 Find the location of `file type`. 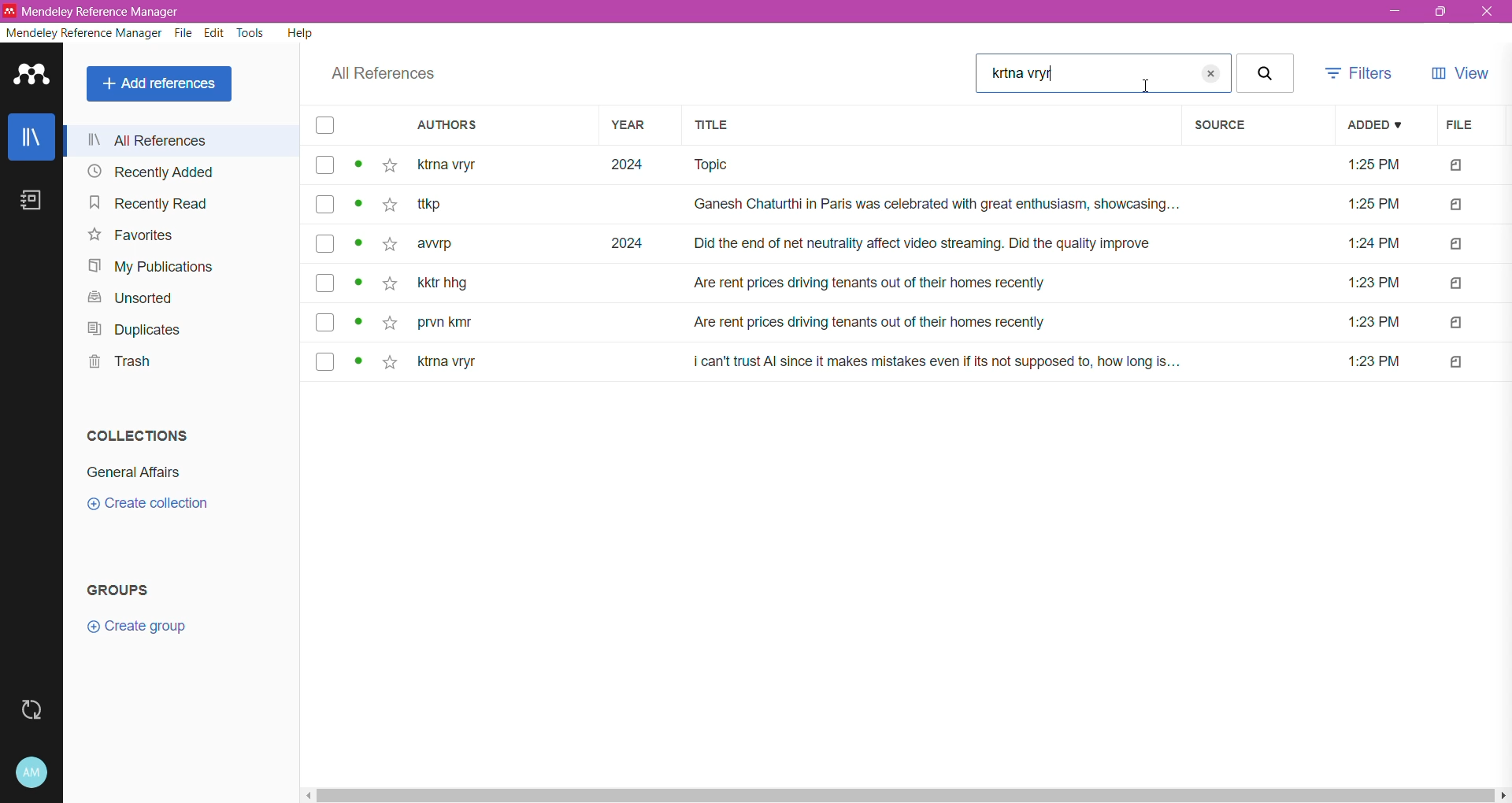

file type is located at coordinates (1457, 363).